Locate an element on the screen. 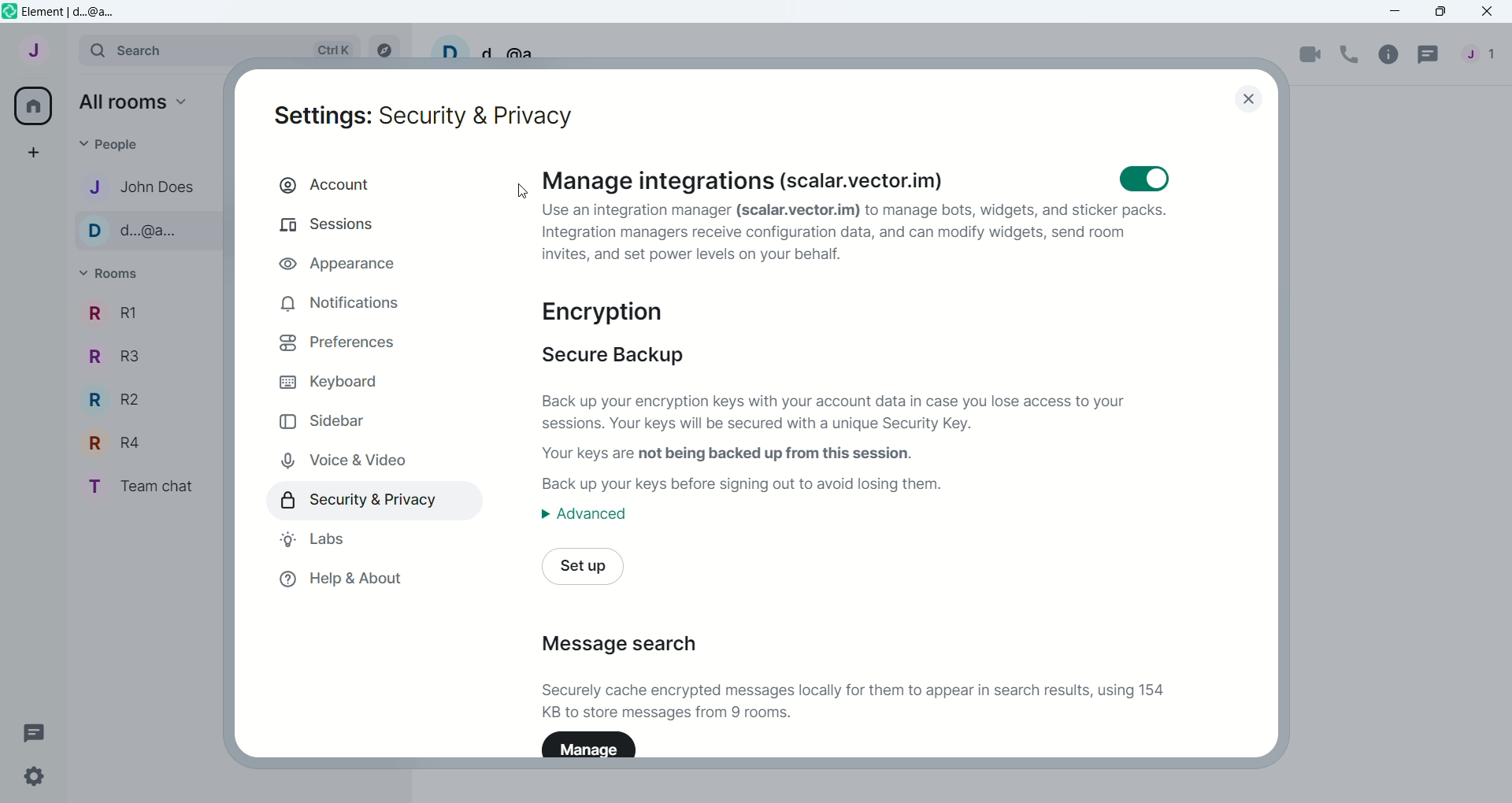  Back up your encryption keys with your account data in case you lose access to your sessions. Your keys will be secured with a unique Security Key. Your keys are not being backed up from this session. Back up your keys before signing out to avoid losing them. is located at coordinates (841, 442).